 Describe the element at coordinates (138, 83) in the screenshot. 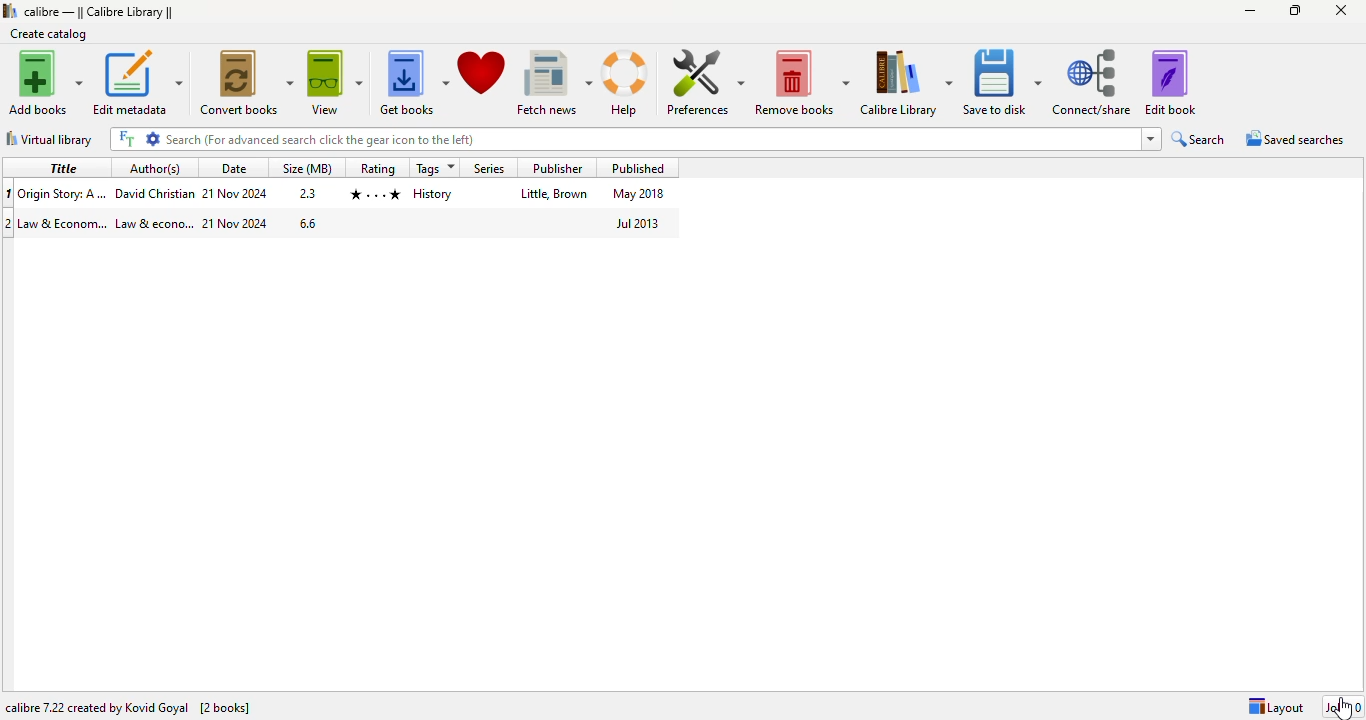

I see `edit metadata` at that location.